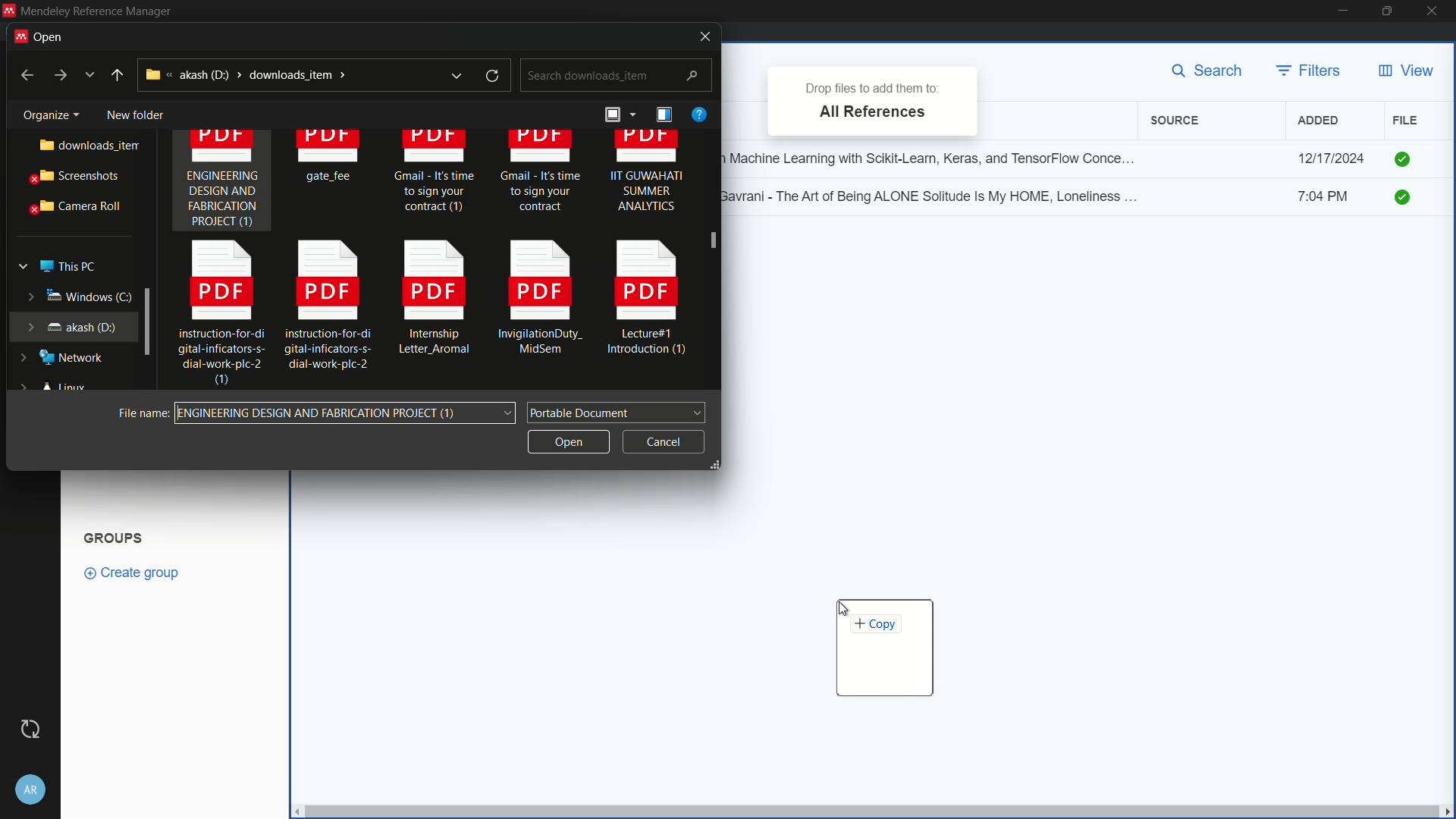 Image resolution: width=1456 pixels, height=819 pixels. What do you see at coordinates (31, 786) in the screenshot?
I see `account settings` at bounding box center [31, 786].